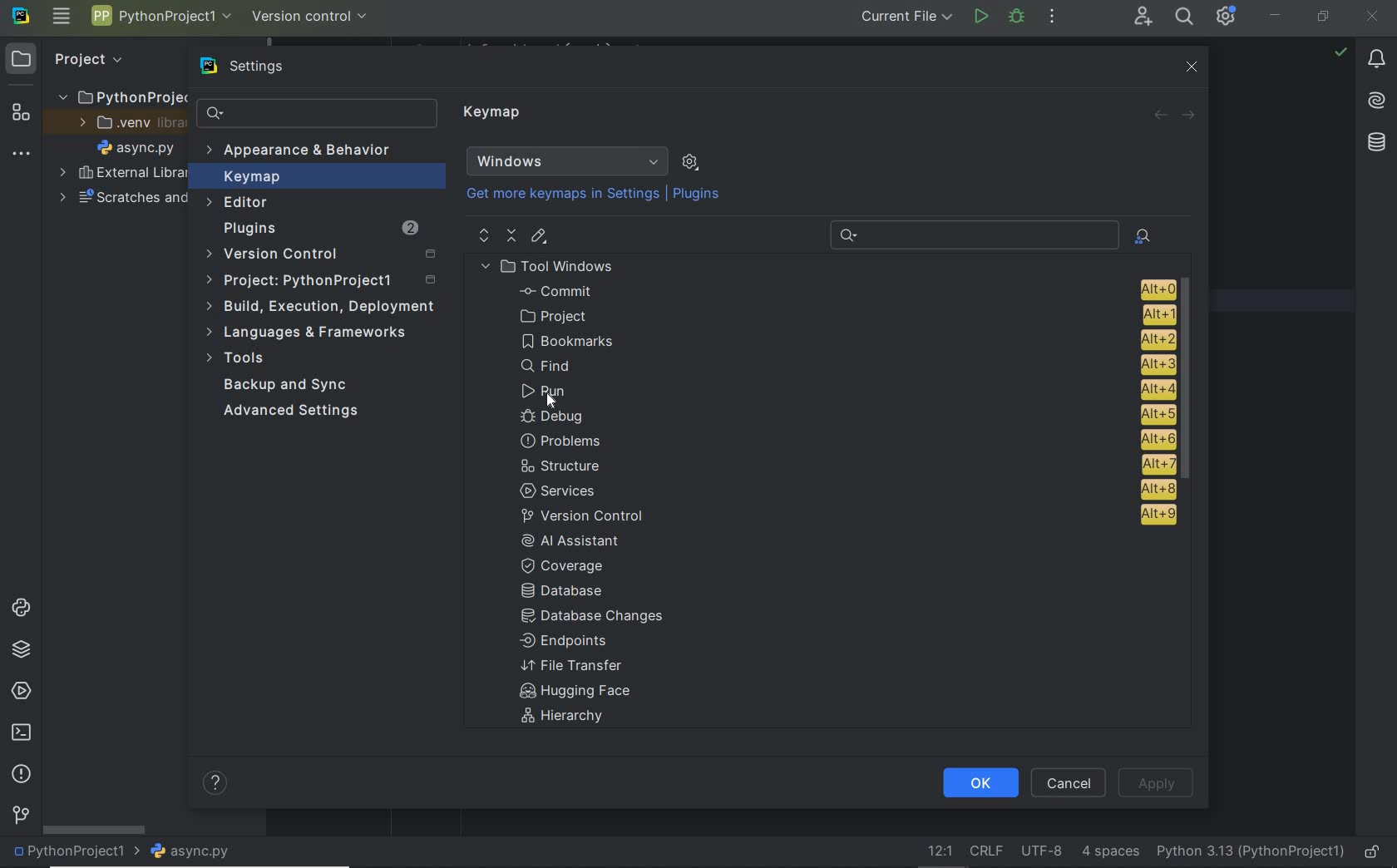 This screenshot has width=1397, height=868. I want to click on file name, so click(136, 147).